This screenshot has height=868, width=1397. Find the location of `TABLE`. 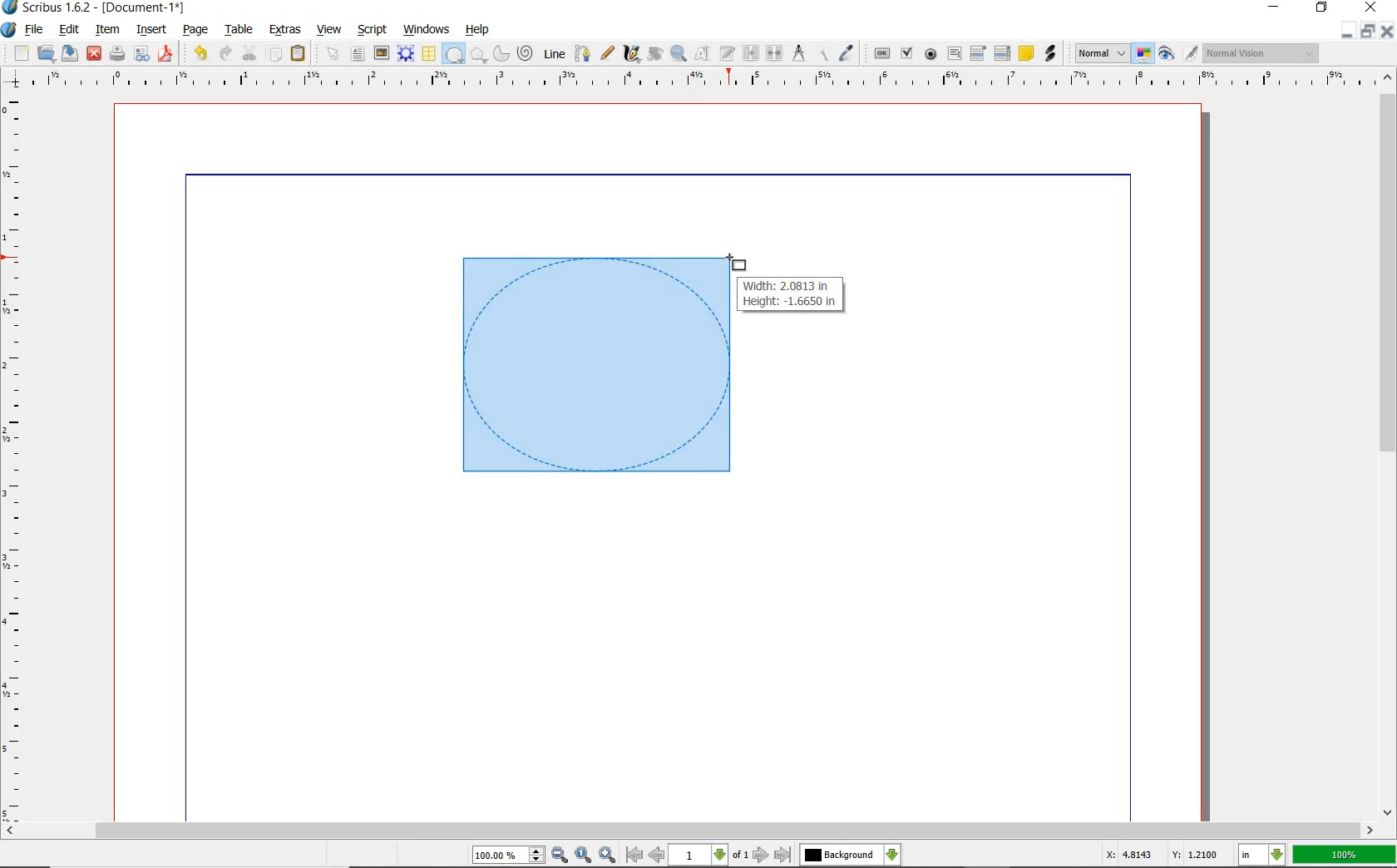

TABLE is located at coordinates (428, 54).